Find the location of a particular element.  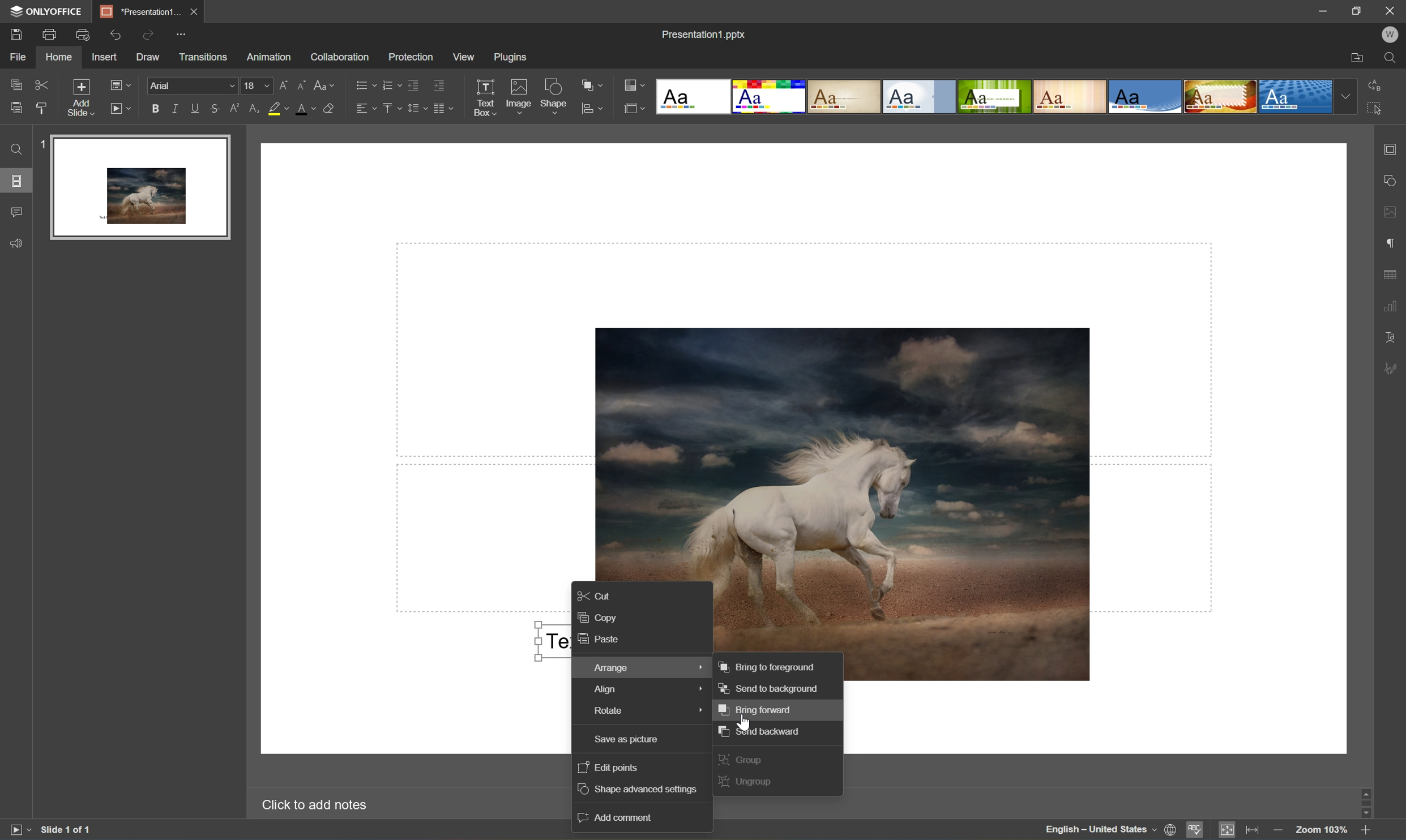

Strikethrough is located at coordinates (215, 108).